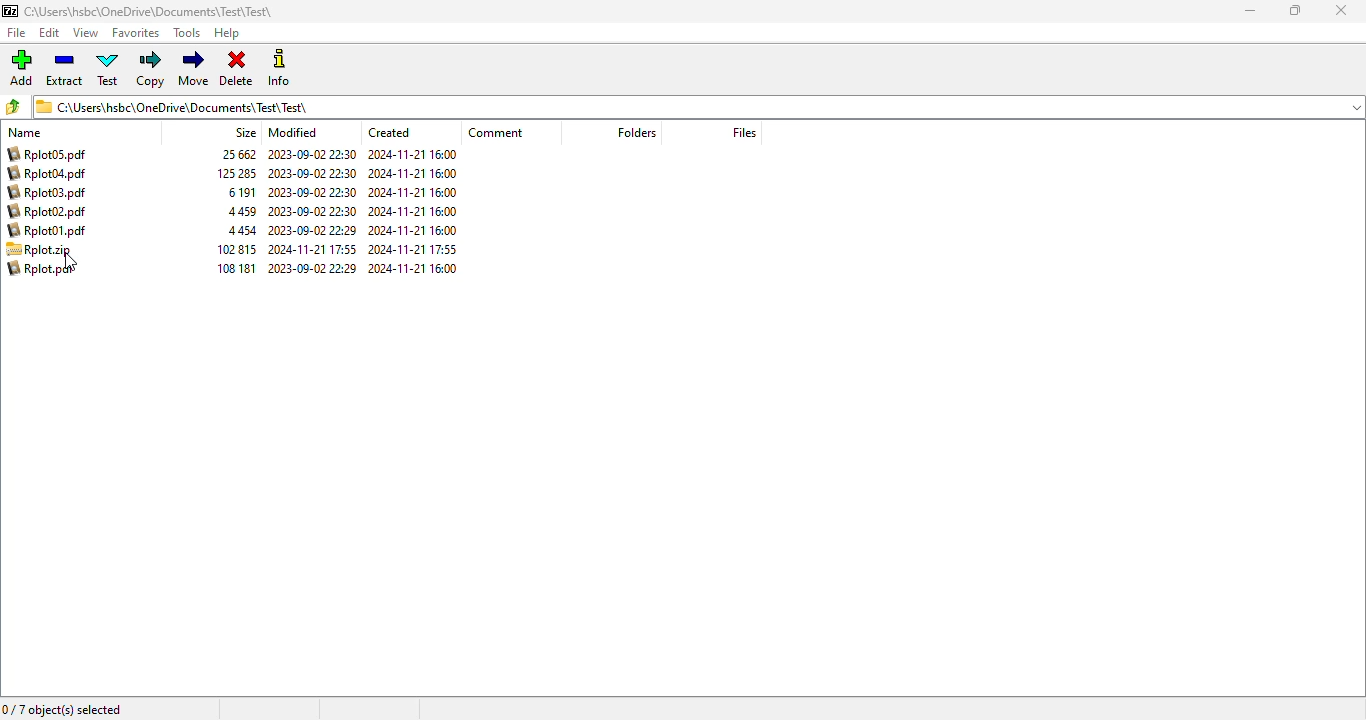 The height and width of the screenshot is (720, 1366). What do you see at coordinates (17, 32) in the screenshot?
I see `file` at bounding box center [17, 32].